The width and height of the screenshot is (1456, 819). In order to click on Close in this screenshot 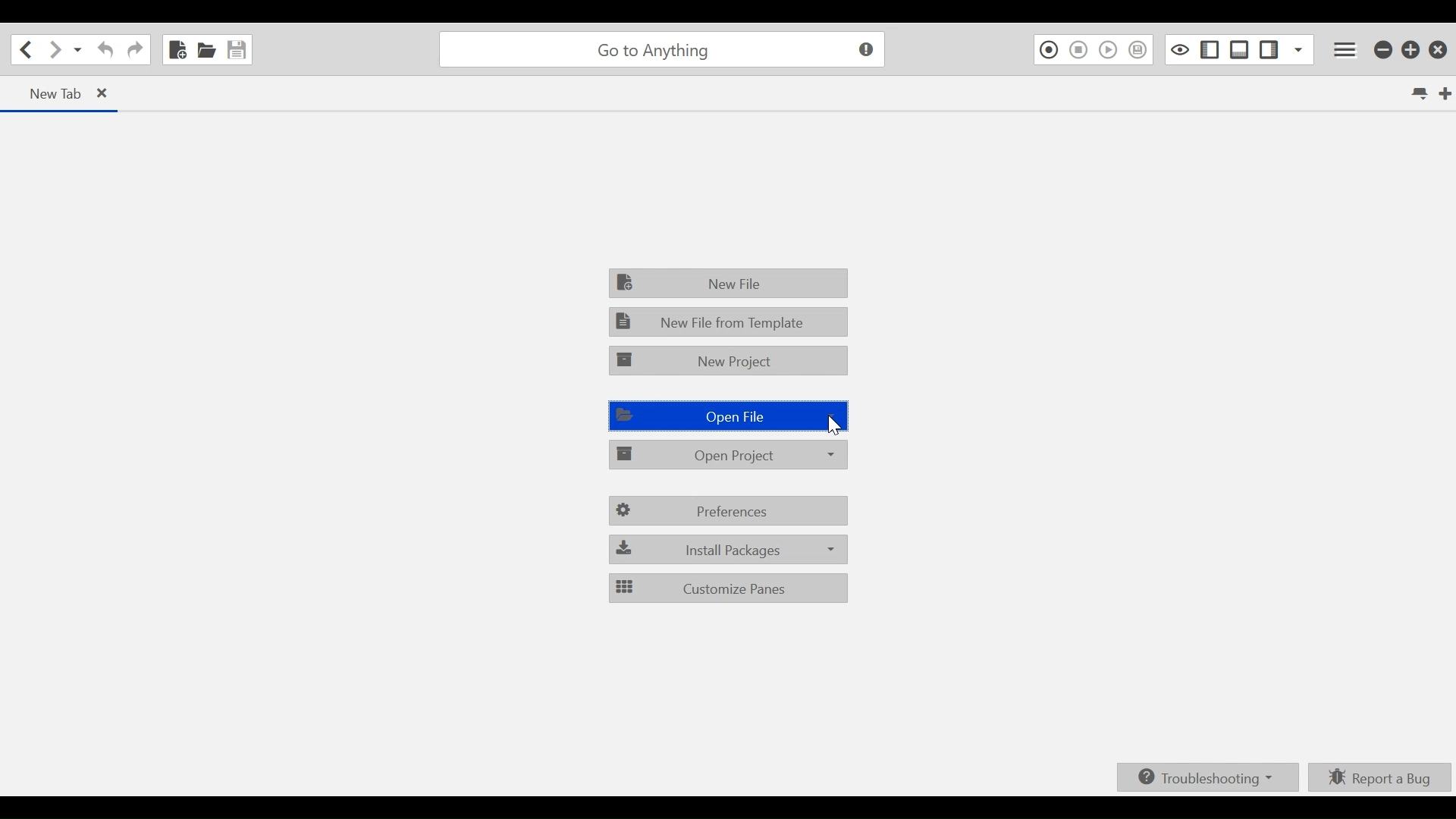, I will do `click(1439, 51)`.